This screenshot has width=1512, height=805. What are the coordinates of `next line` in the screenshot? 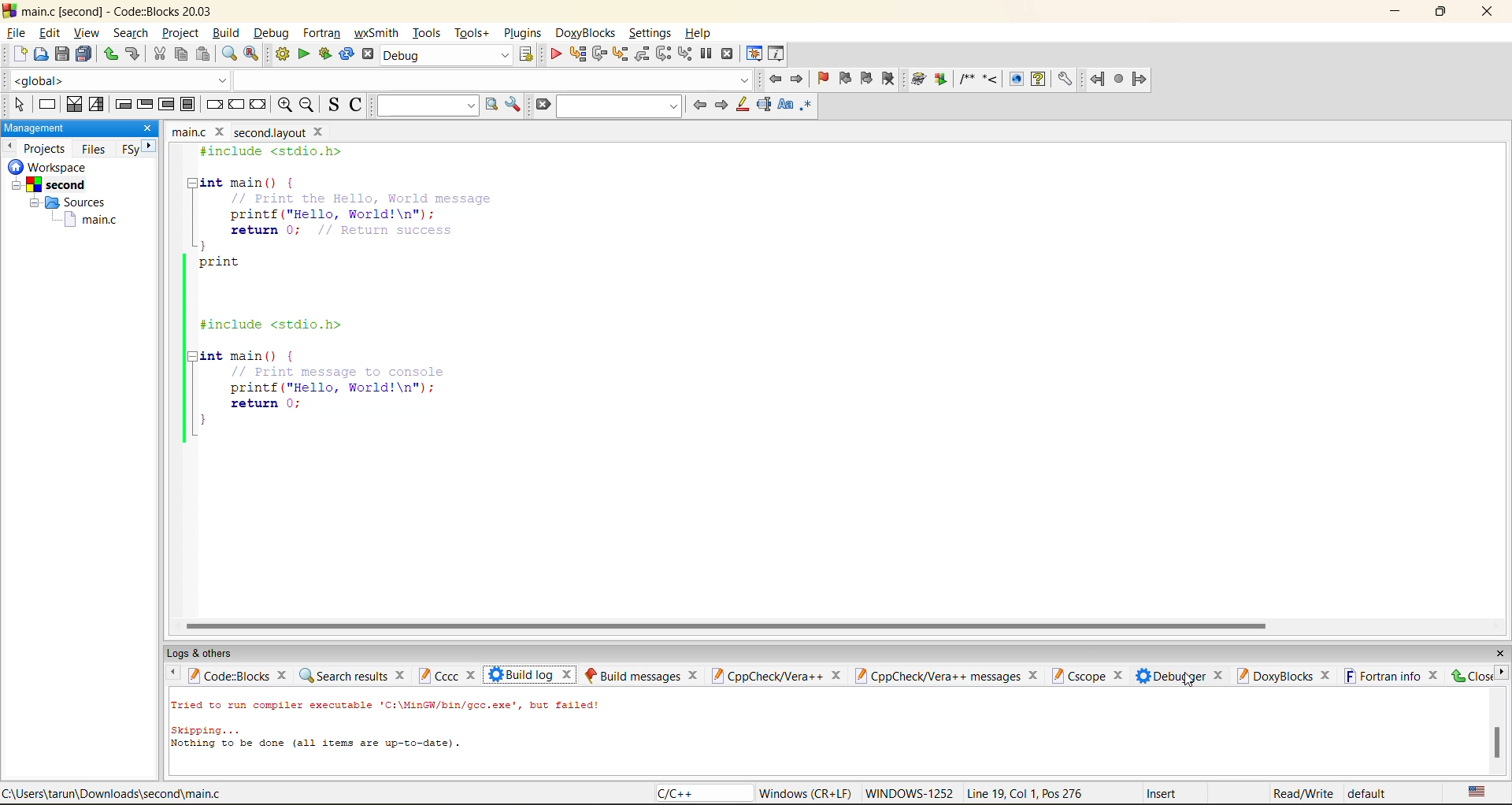 It's located at (599, 54).